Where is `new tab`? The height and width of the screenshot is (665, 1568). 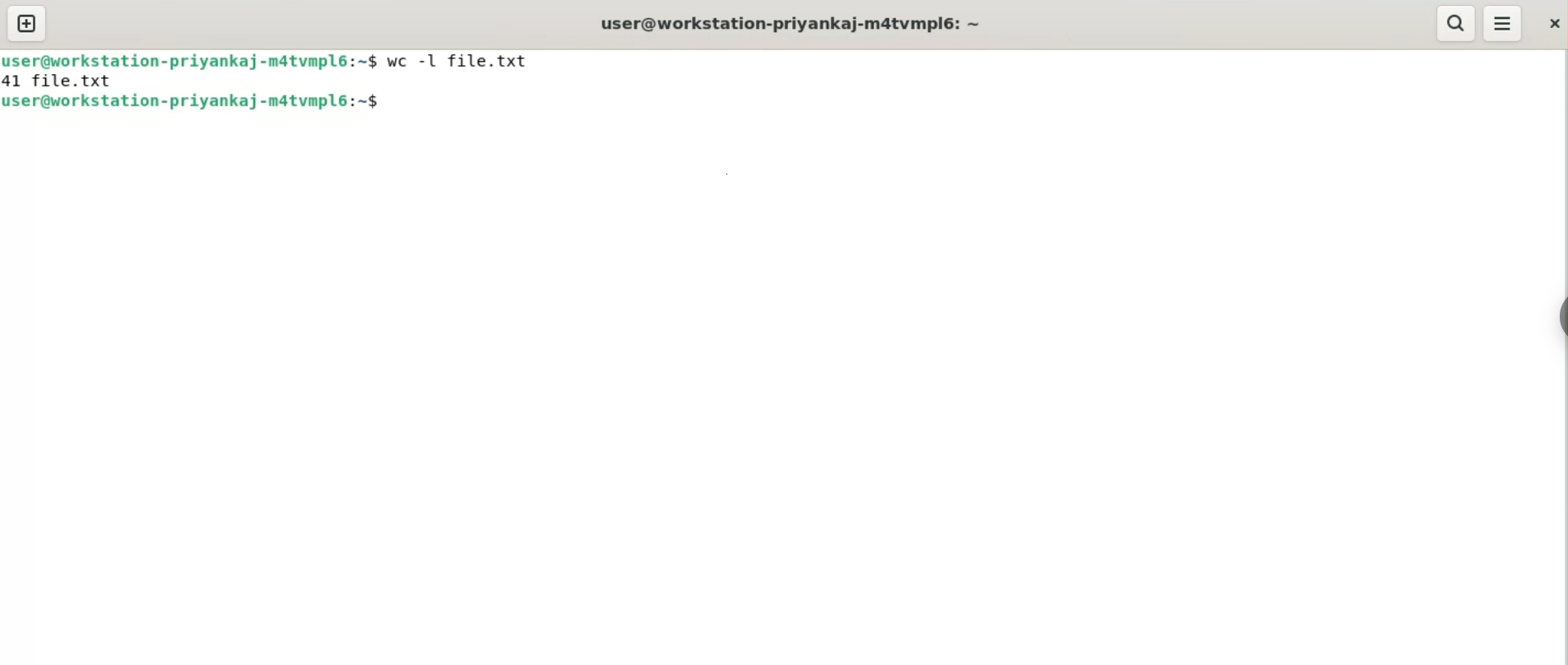 new tab is located at coordinates (27, 23).